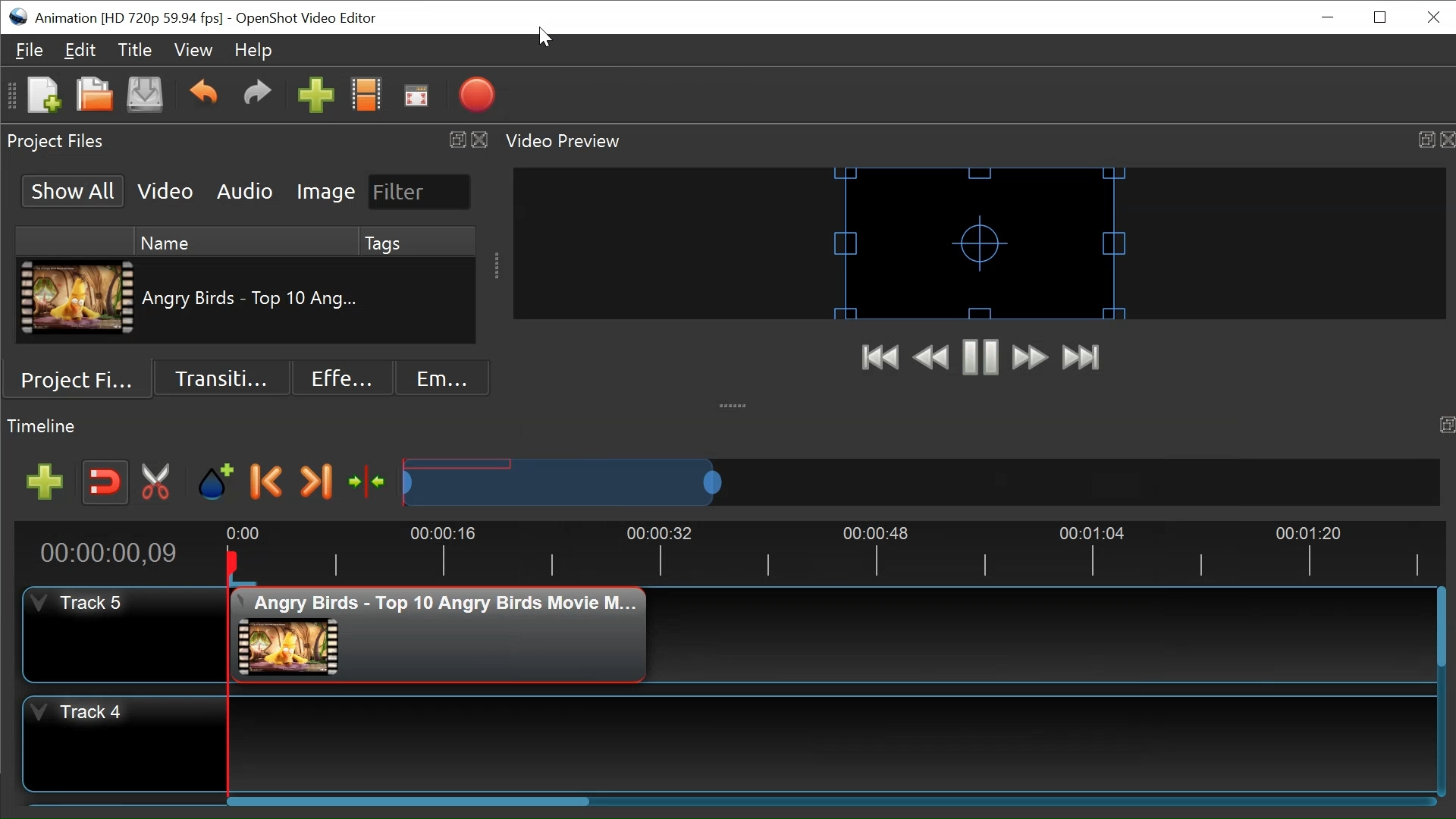 This screenshot has height=819, width=1456. I want to click on Restore, so click(1382, 17).